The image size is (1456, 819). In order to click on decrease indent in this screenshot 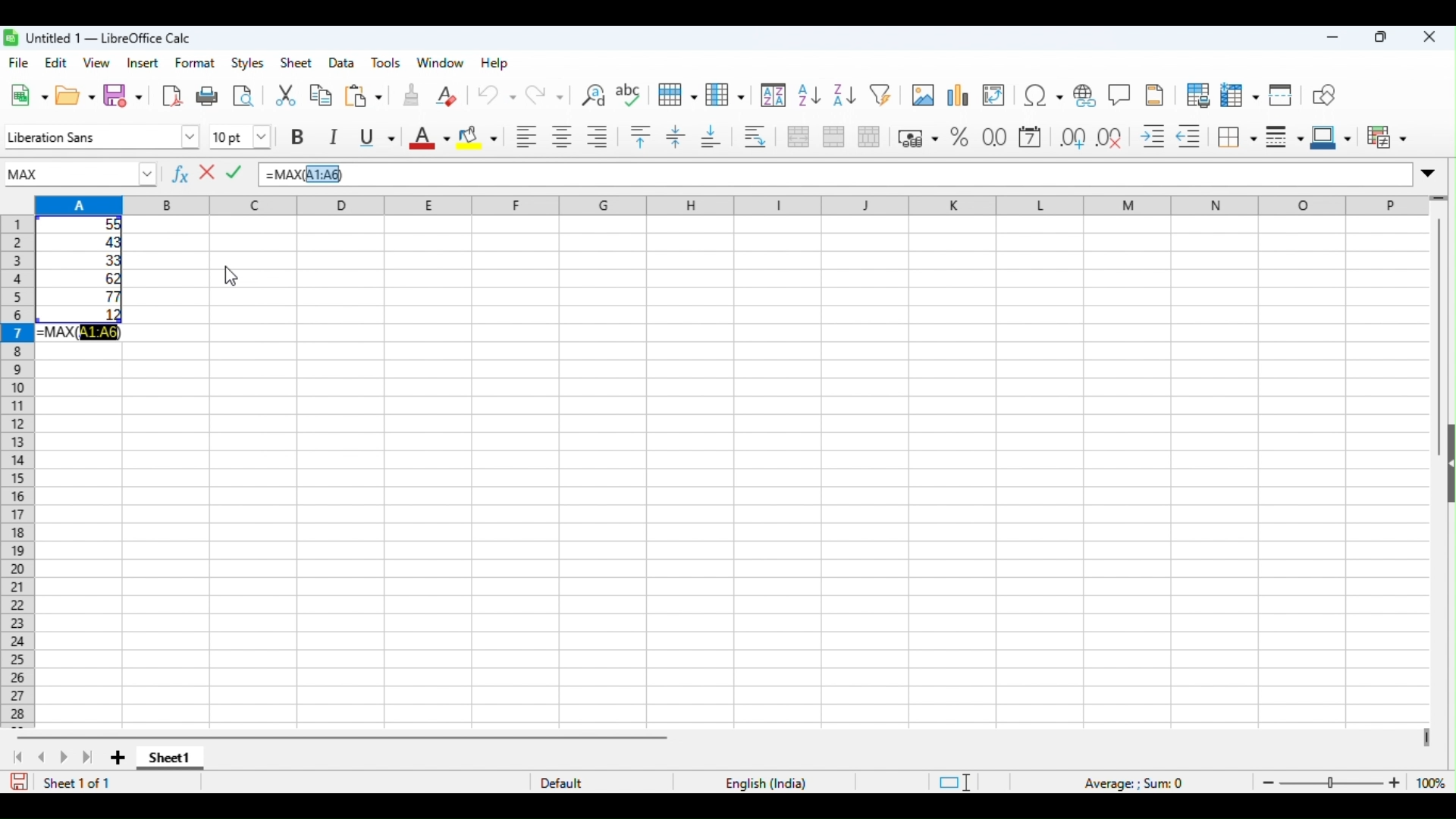, I will do `click(1192, 136)`.